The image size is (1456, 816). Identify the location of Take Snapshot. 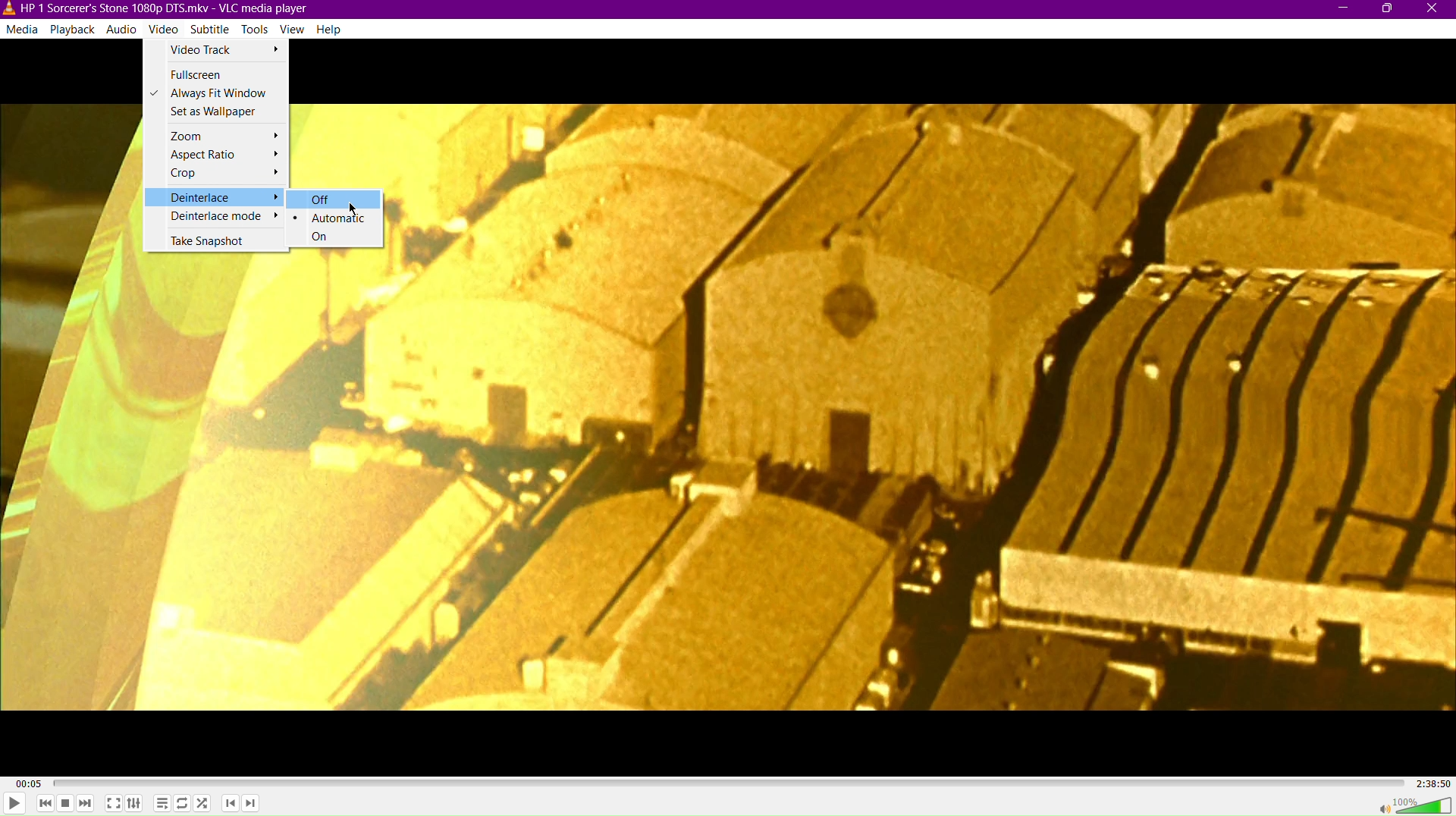
(215, 241).